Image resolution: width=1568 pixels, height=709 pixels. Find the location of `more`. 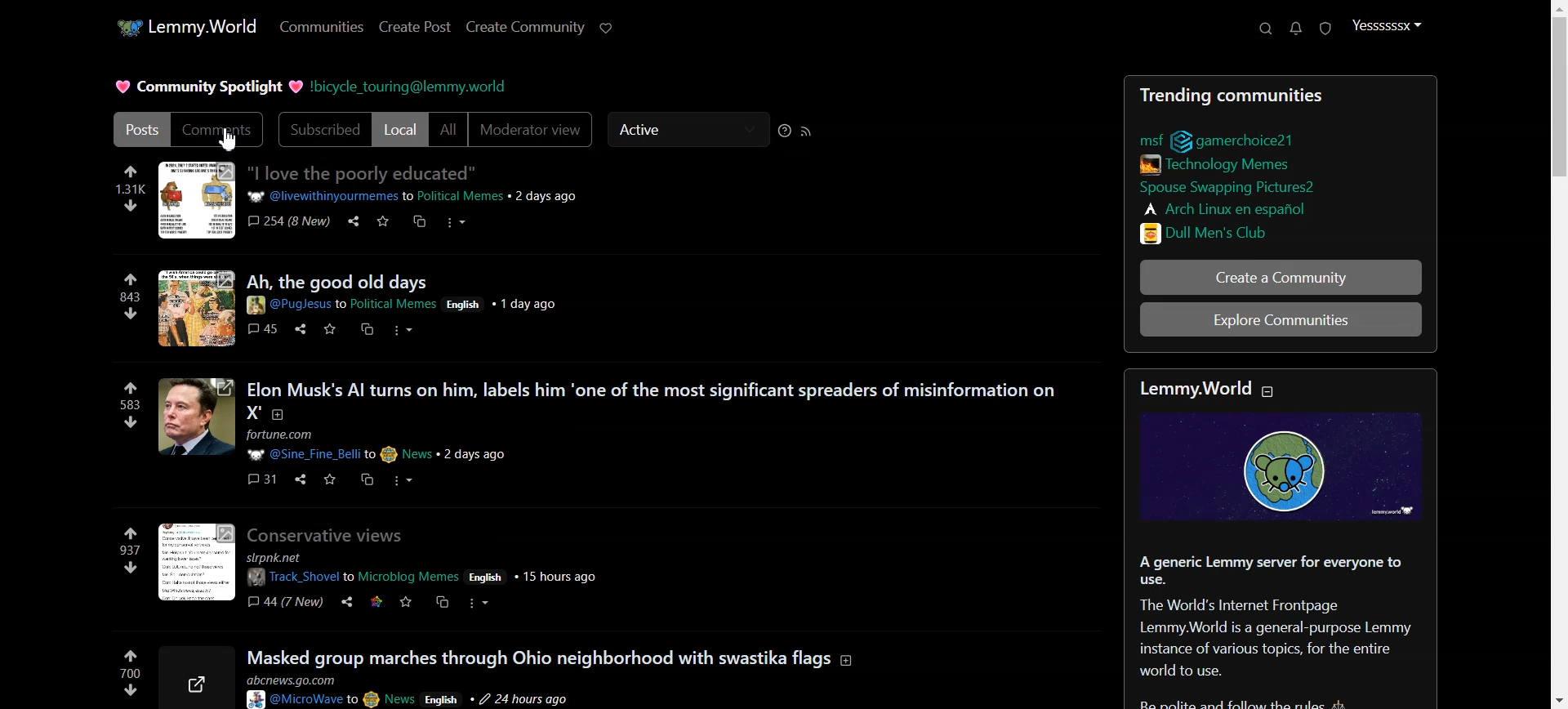

more is located at coordinates (480, 600).